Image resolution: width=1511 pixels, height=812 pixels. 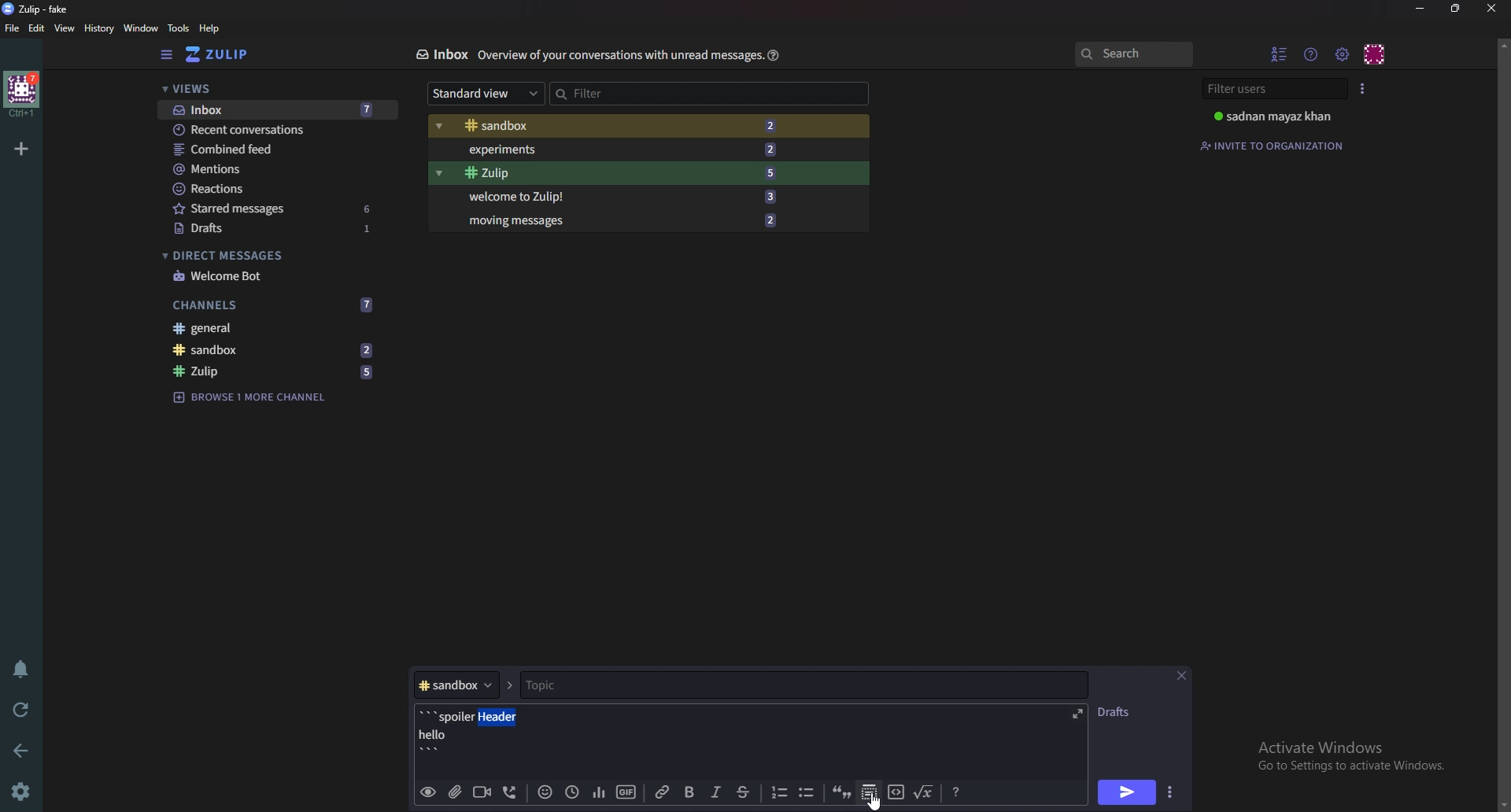 What do you see at coordinates (1172, 792) in the screenshot?
I see `Send options` at bounding box center [1172, 792].